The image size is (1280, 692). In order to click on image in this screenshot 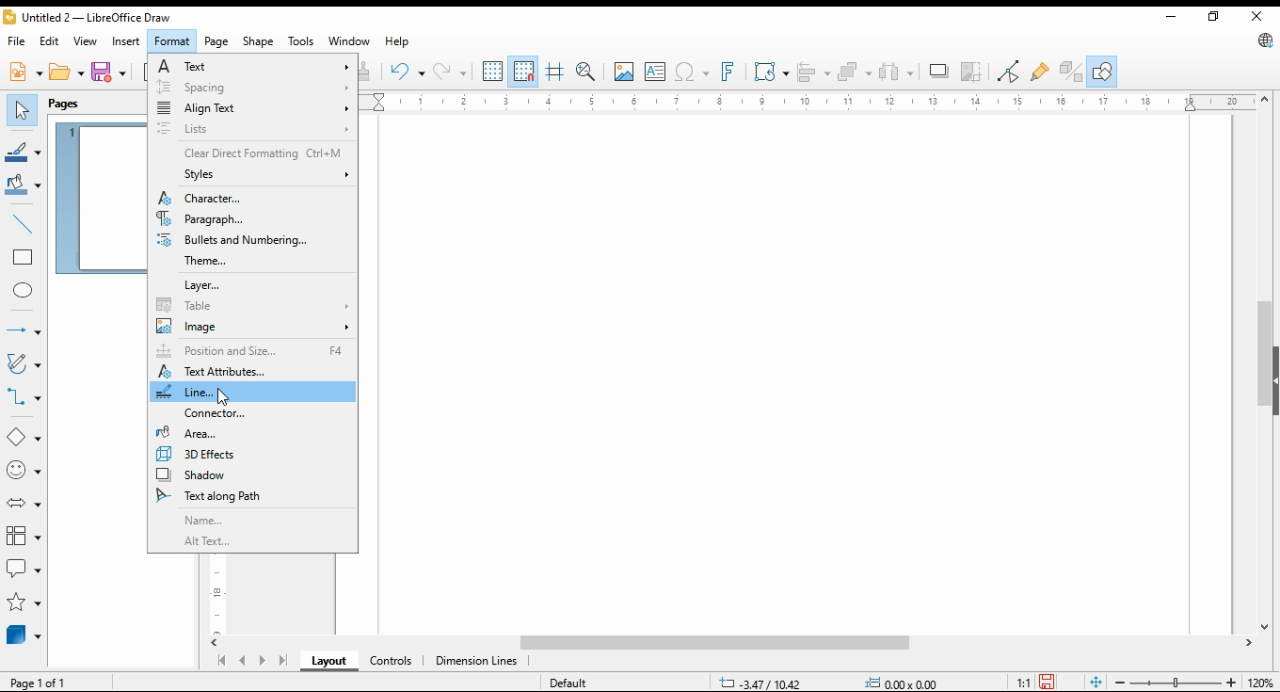, I will do `click(251, 327)`.